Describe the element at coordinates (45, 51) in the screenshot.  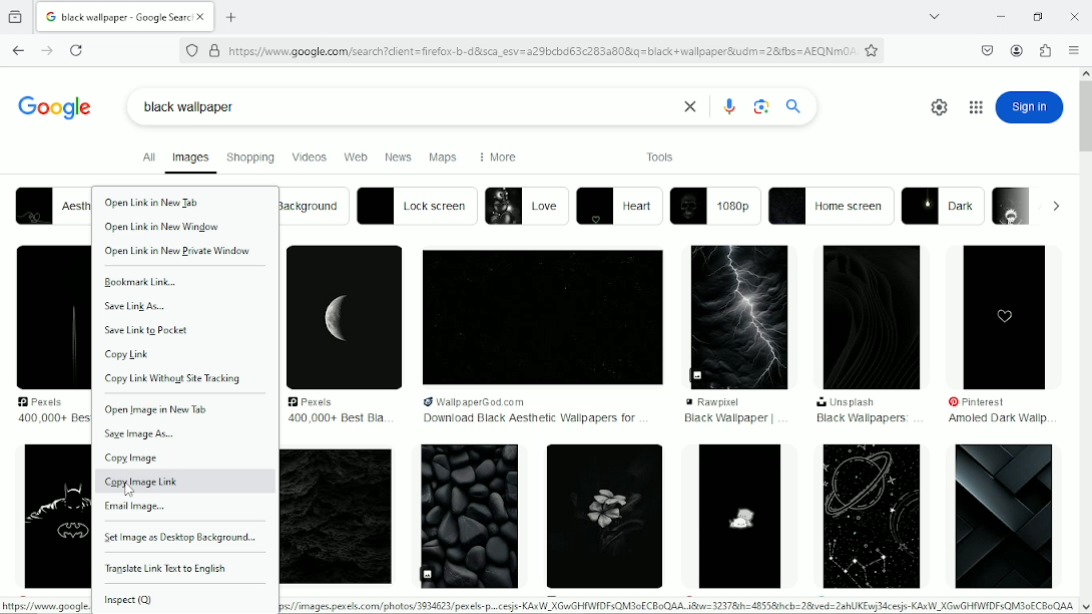
I see `Go forward` at that location.